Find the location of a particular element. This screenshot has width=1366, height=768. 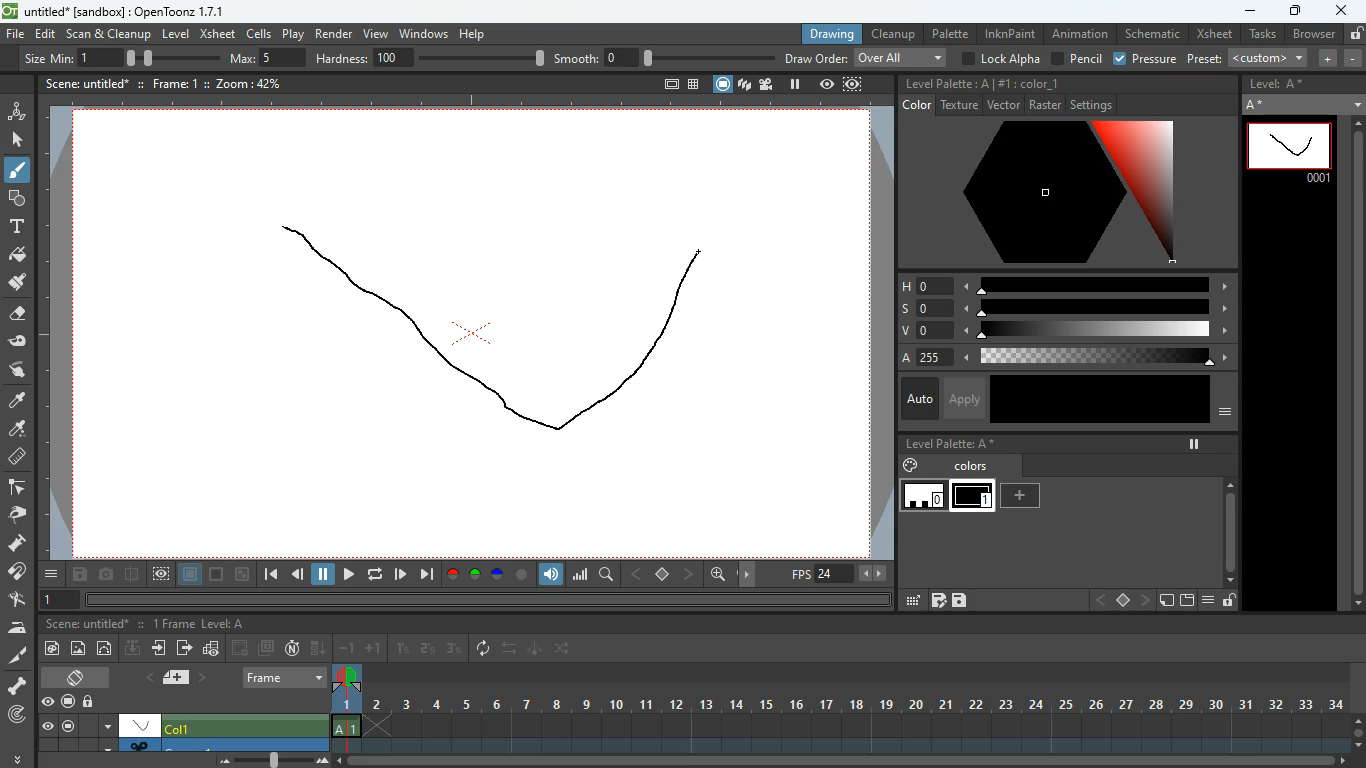

v is located at coordinates (1061, 332).